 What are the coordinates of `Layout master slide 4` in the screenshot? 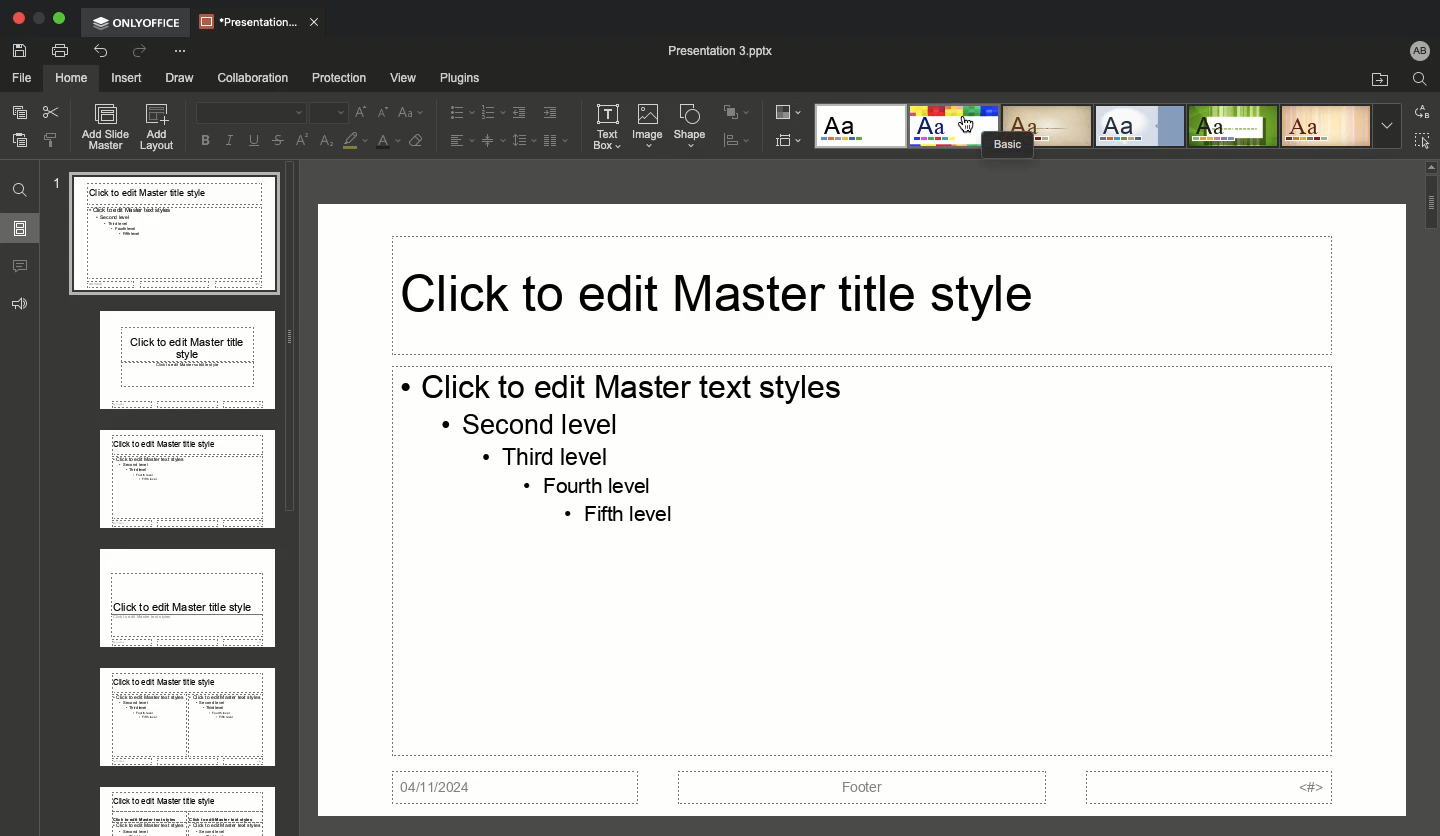 It's located at (187, 597).